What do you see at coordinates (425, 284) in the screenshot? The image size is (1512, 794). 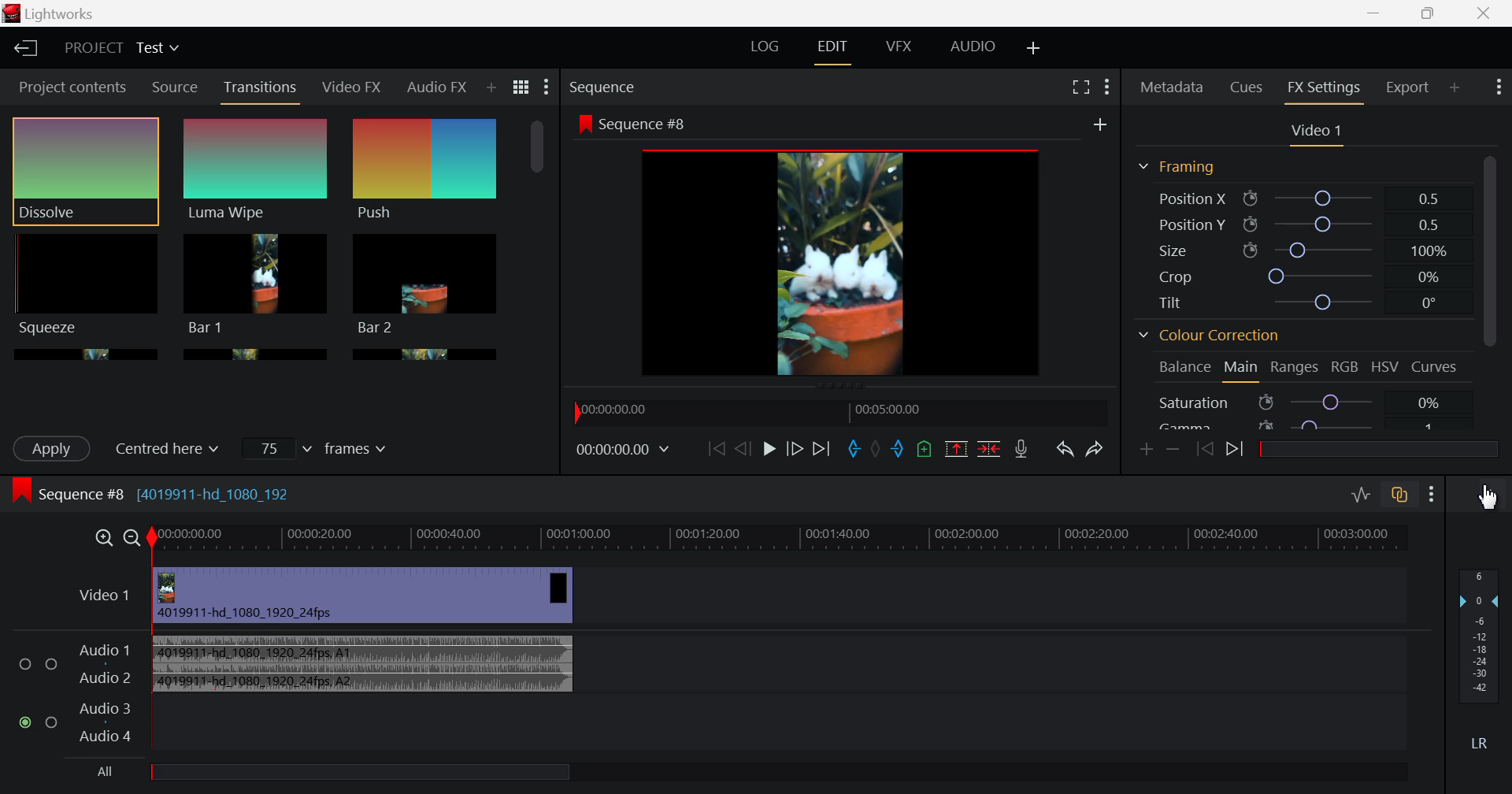 I see `Bar 1` at bounding box center [425, 284].